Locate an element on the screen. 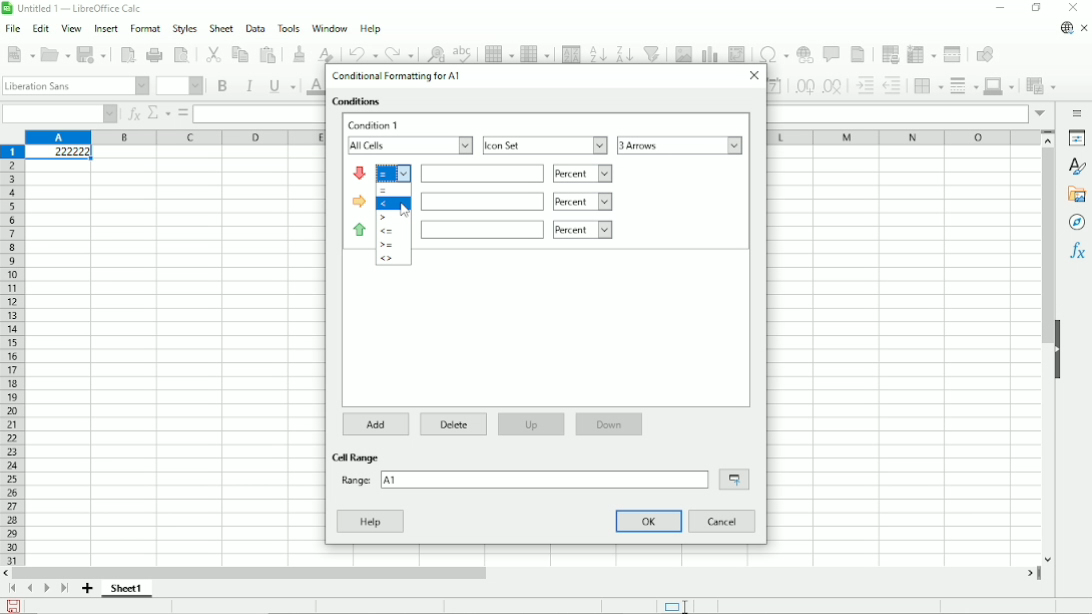 This screenshot has width=1092, height=614. Scroll to previous page is located at coordinates (30, 588).